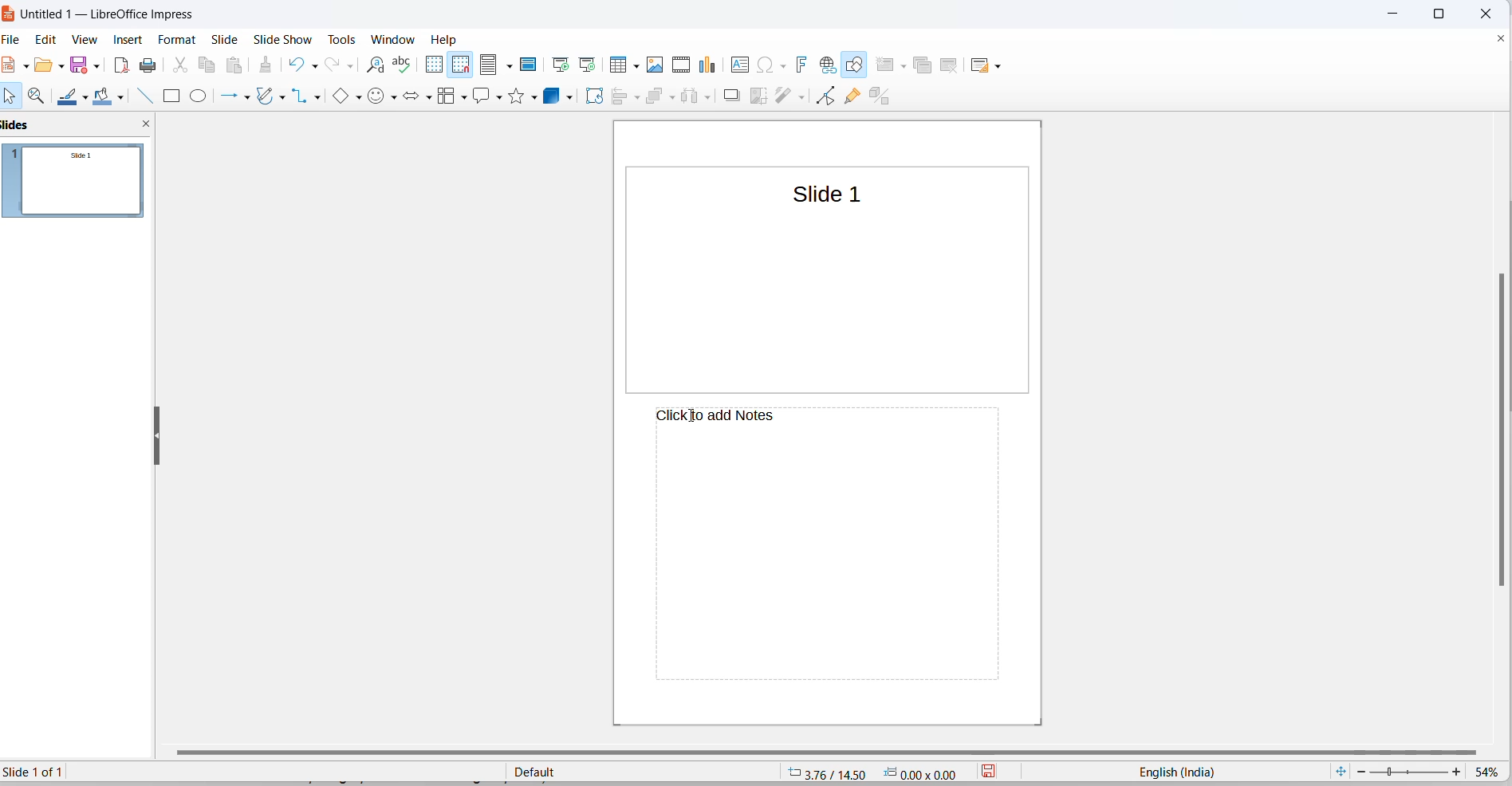 The width and height of the screenshot is (1512, 786). I want to click on maximize, so click(1444, 14).